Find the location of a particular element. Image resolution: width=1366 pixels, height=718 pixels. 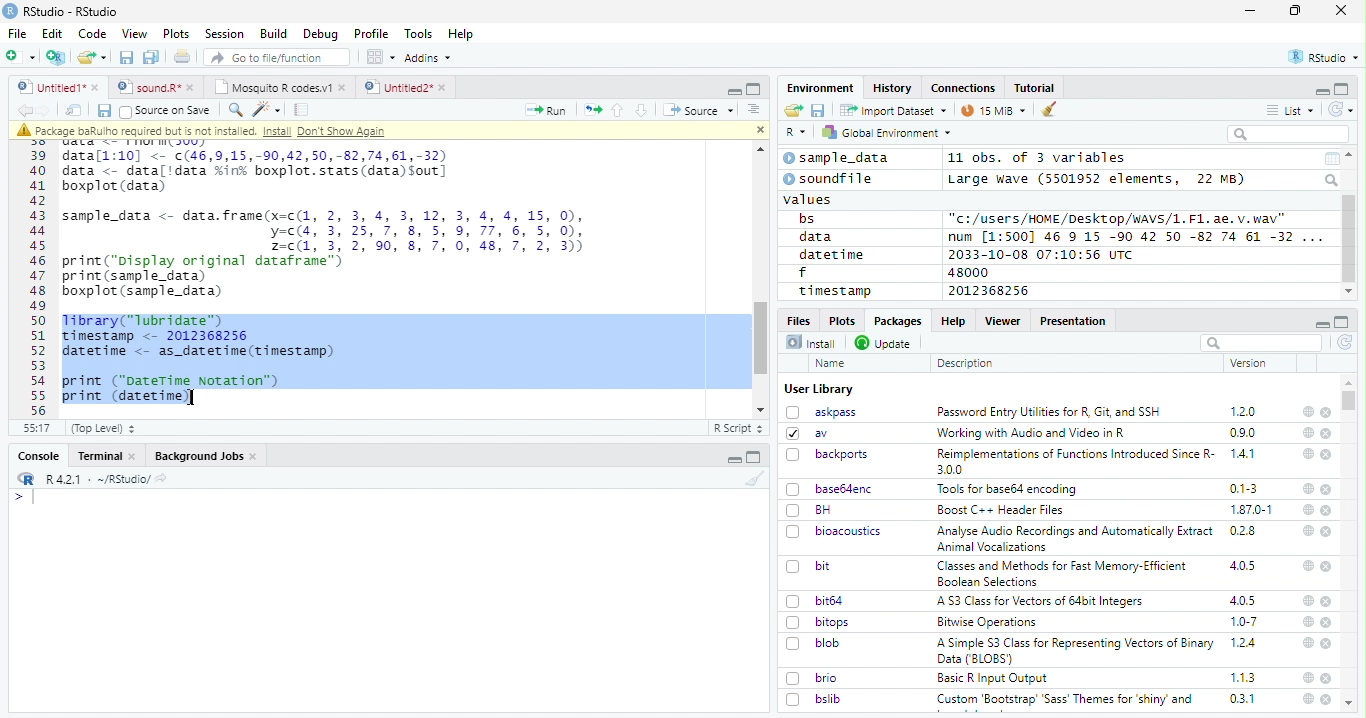

Save the current document is located at coordinates (127, 58).